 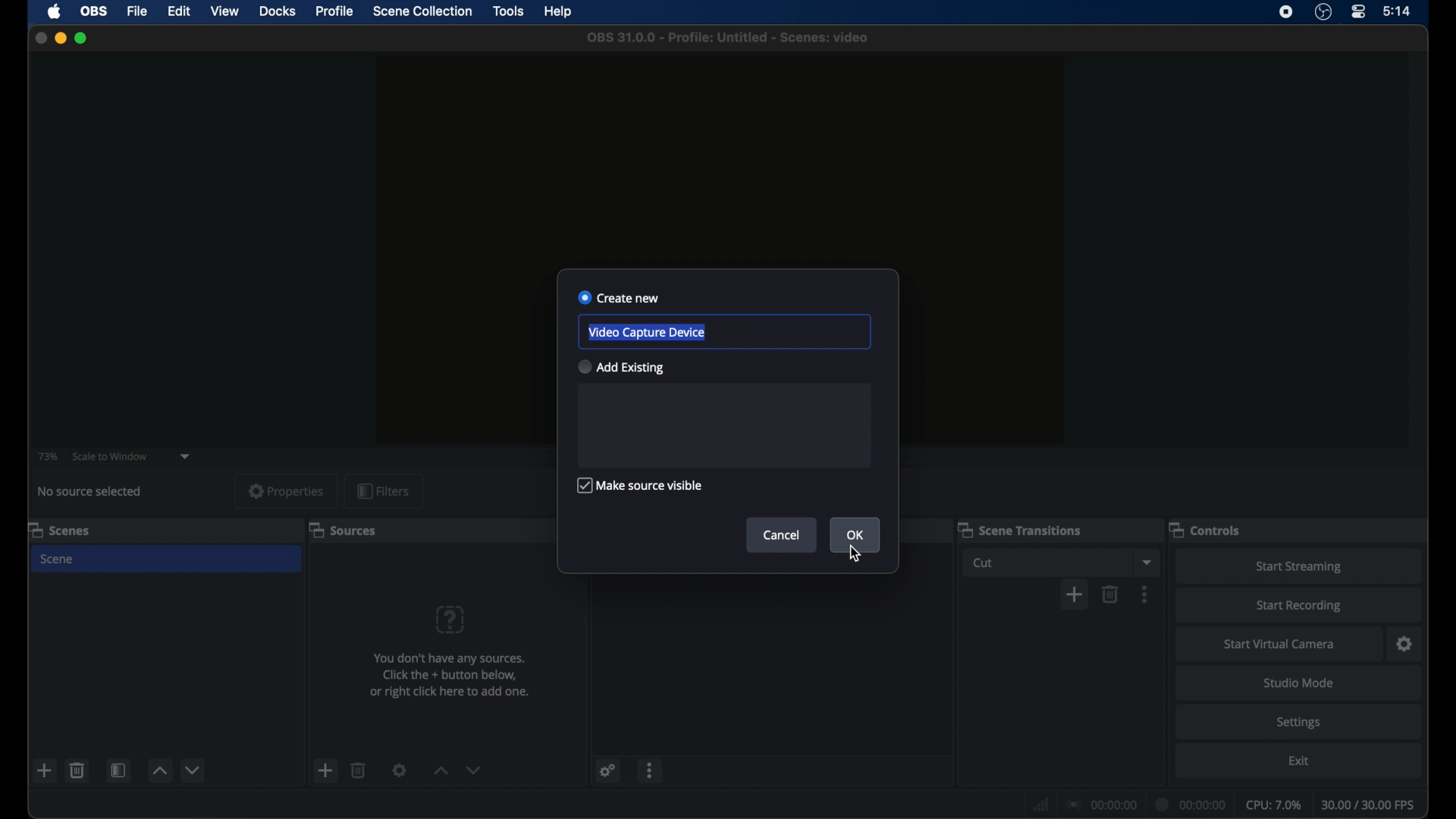 I want to click on obs, so click(x=94, y=11).